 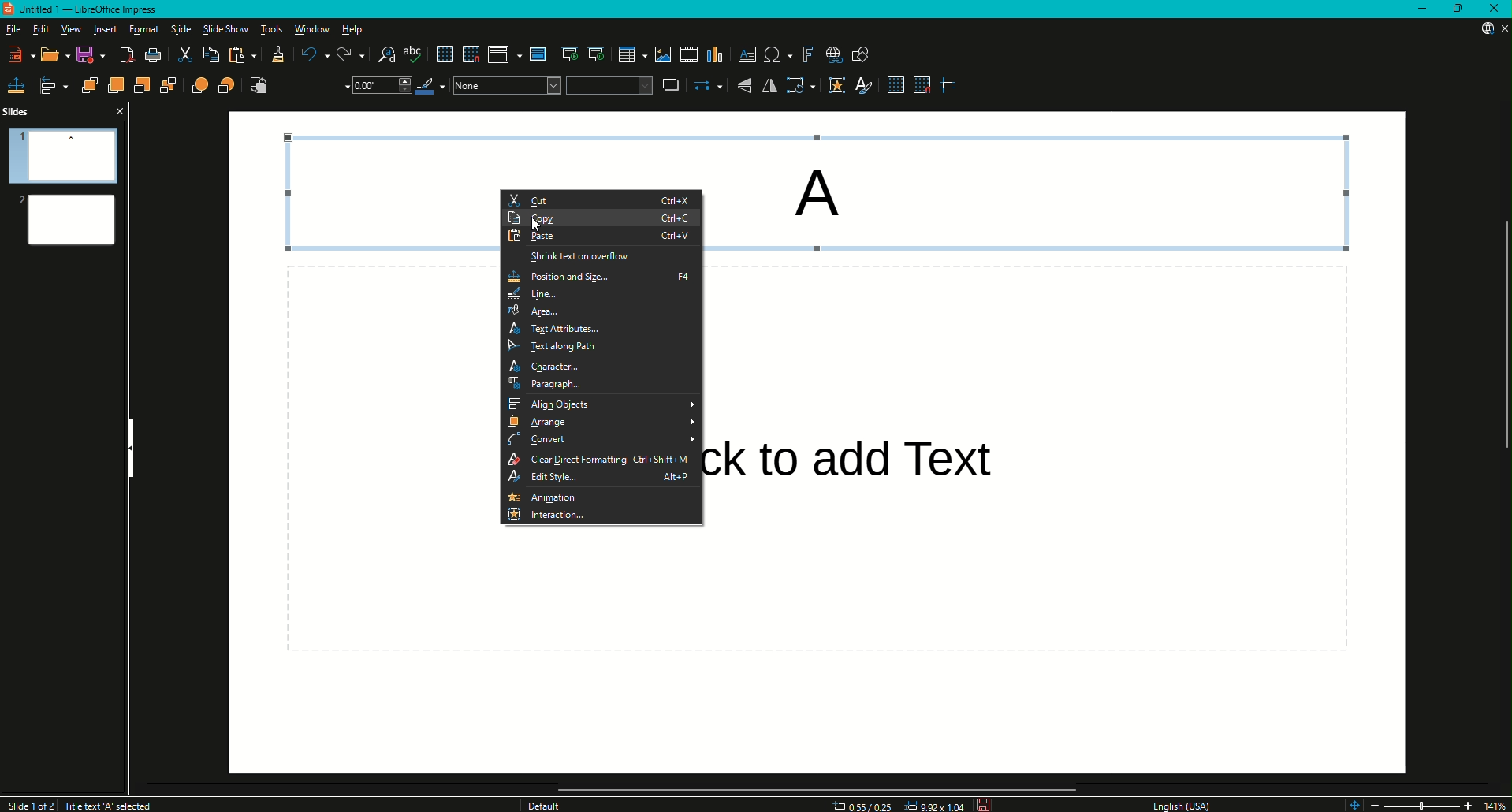 I want to click on Slide, so click(x=181, y=30).